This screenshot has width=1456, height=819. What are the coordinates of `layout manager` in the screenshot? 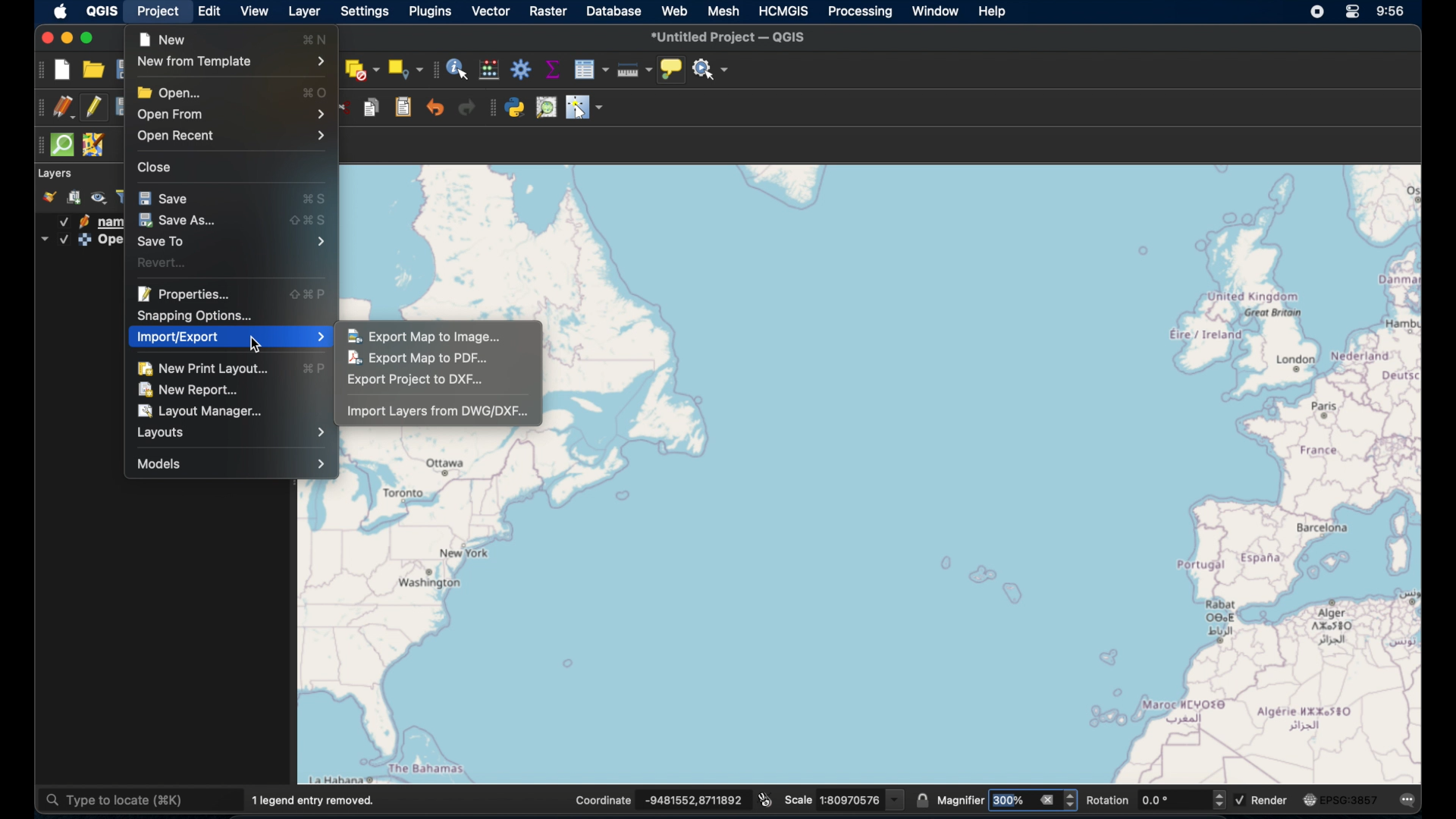 It's located at (201, 410).